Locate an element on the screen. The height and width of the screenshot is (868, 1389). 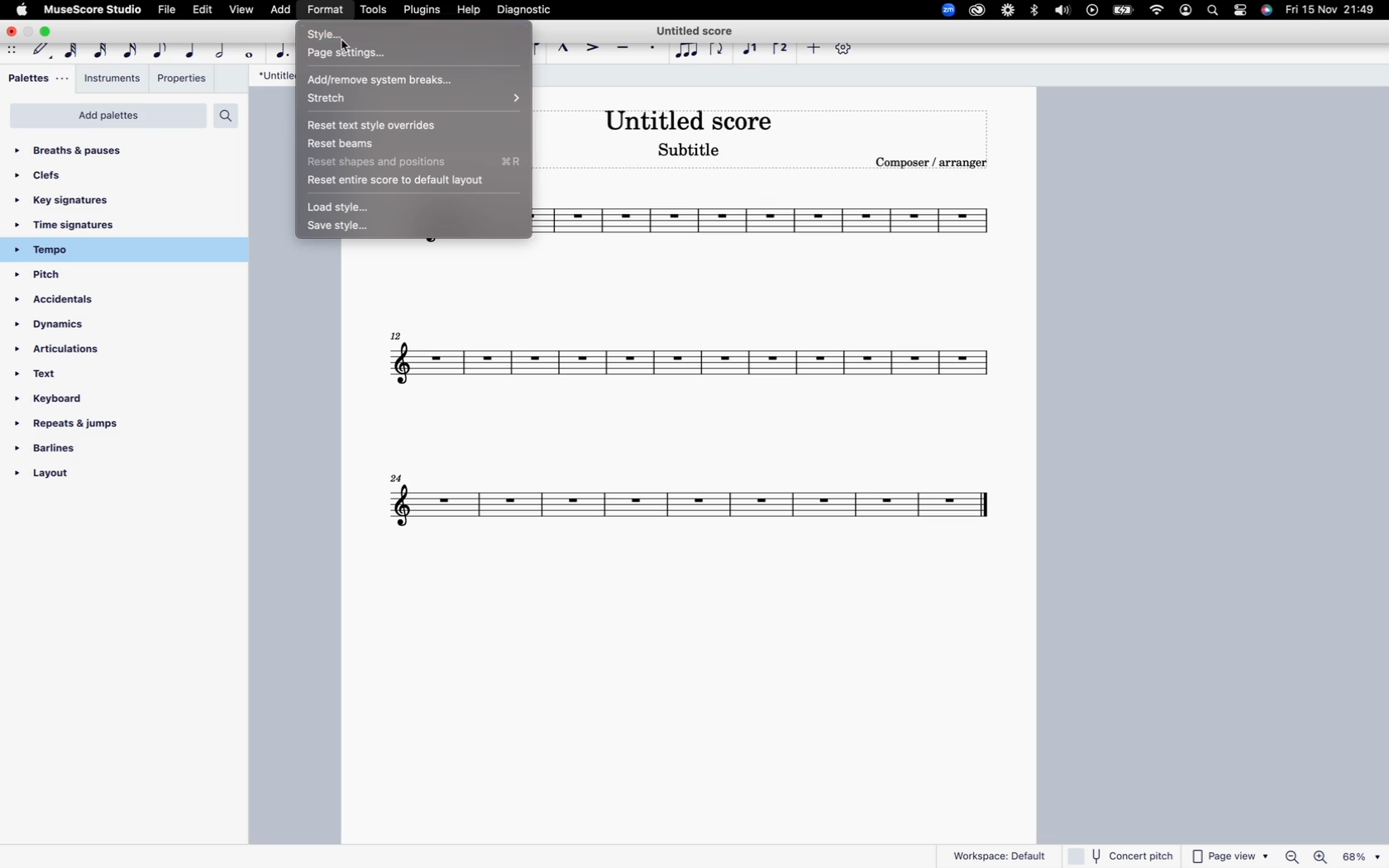
barlines is located at coordinates (76, 453).